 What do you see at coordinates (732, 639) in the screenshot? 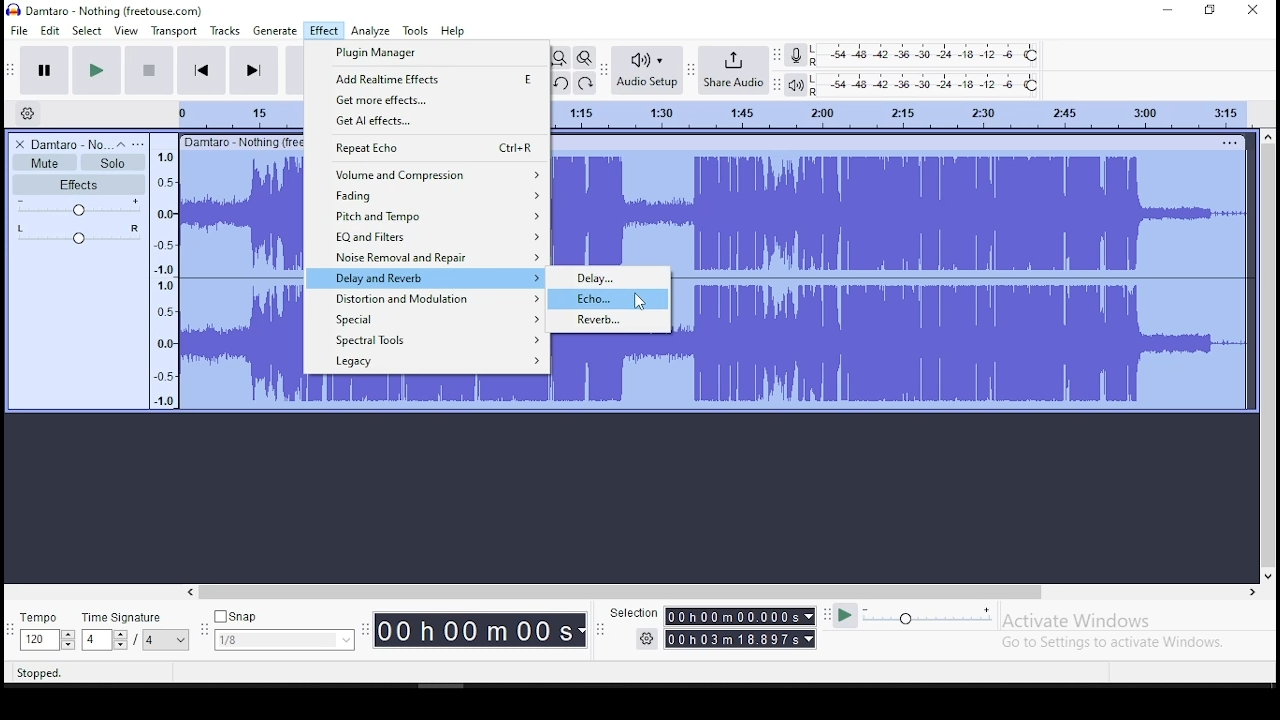
I see `00 h 03 m 18.897` at bounding box center [732, 639].